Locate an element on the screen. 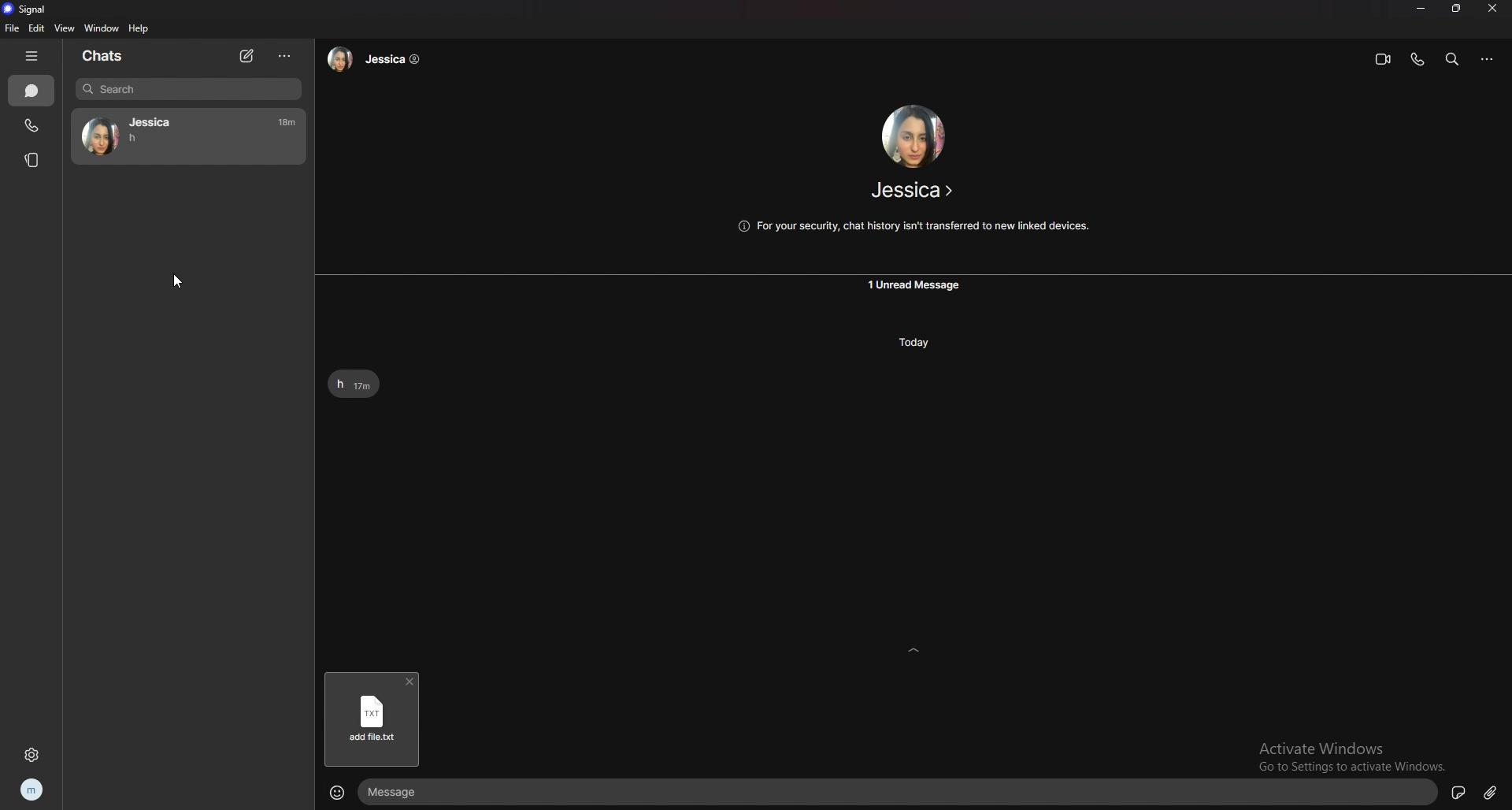 The image size is (1512, 810). For your security, chat history isn't transferred to new linked devices. is located at coordinates (912, 227).